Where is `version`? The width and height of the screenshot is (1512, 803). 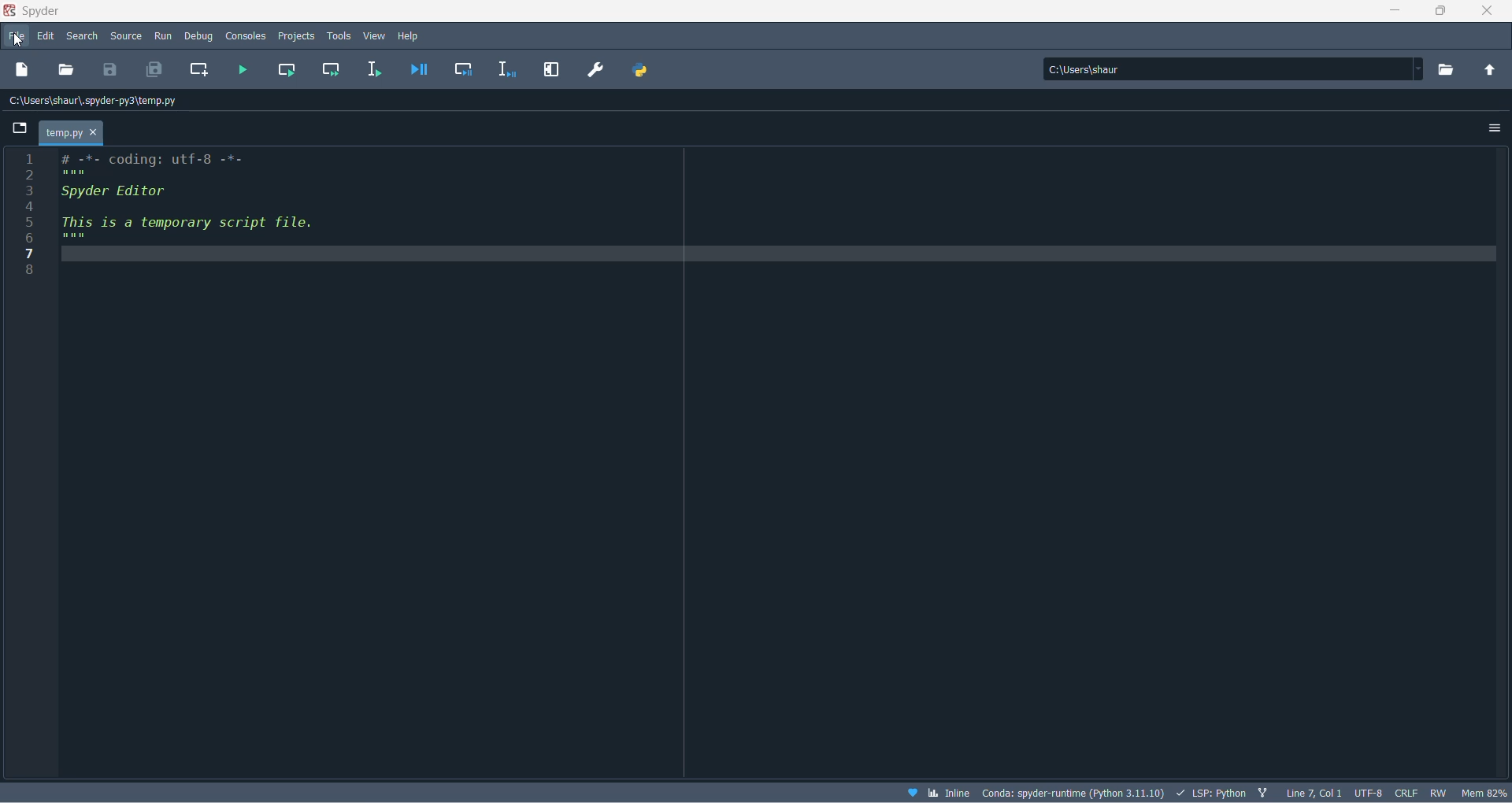
version is located at coordinates (1074, 792).